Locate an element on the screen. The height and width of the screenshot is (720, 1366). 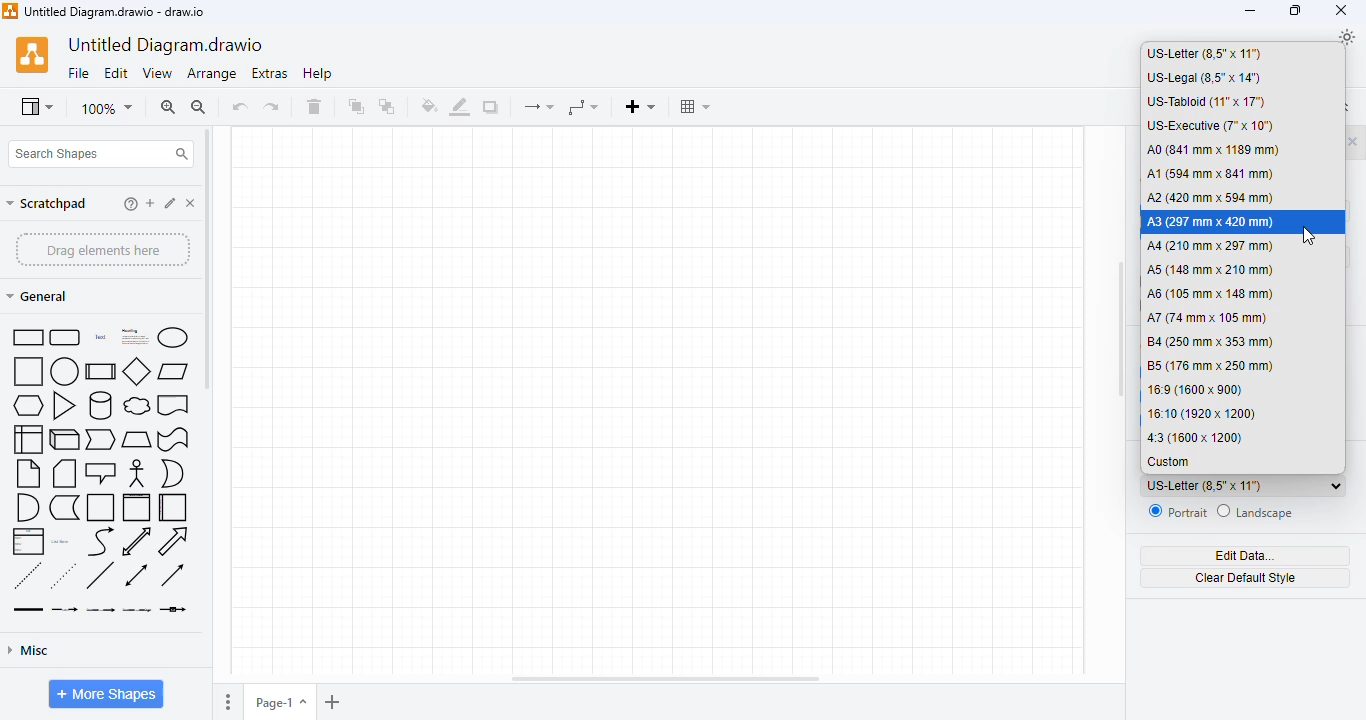
callout is located at coordinates (101, 473).